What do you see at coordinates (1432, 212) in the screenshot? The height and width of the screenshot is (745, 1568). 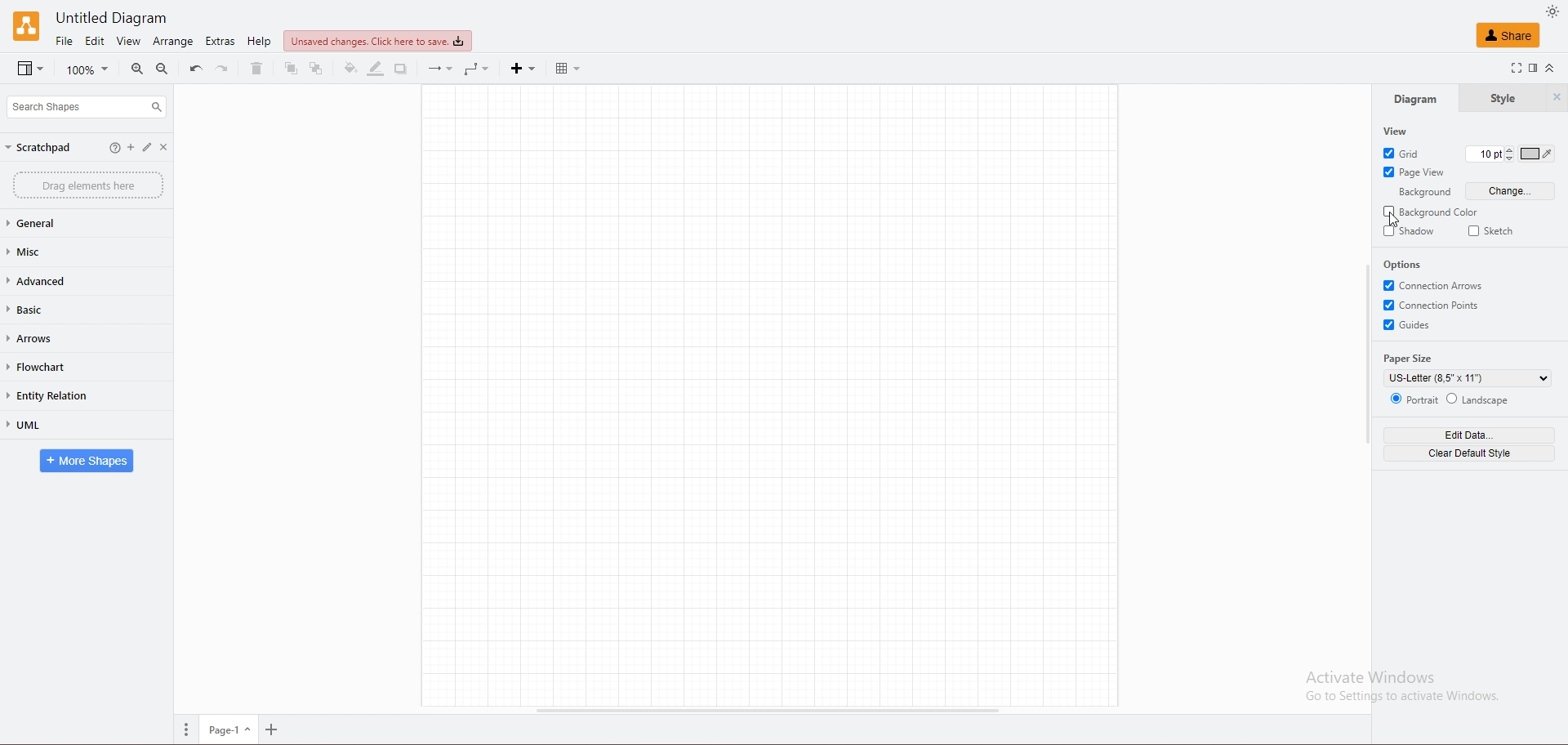 I see `background color` at bounding box center [1432, 212].